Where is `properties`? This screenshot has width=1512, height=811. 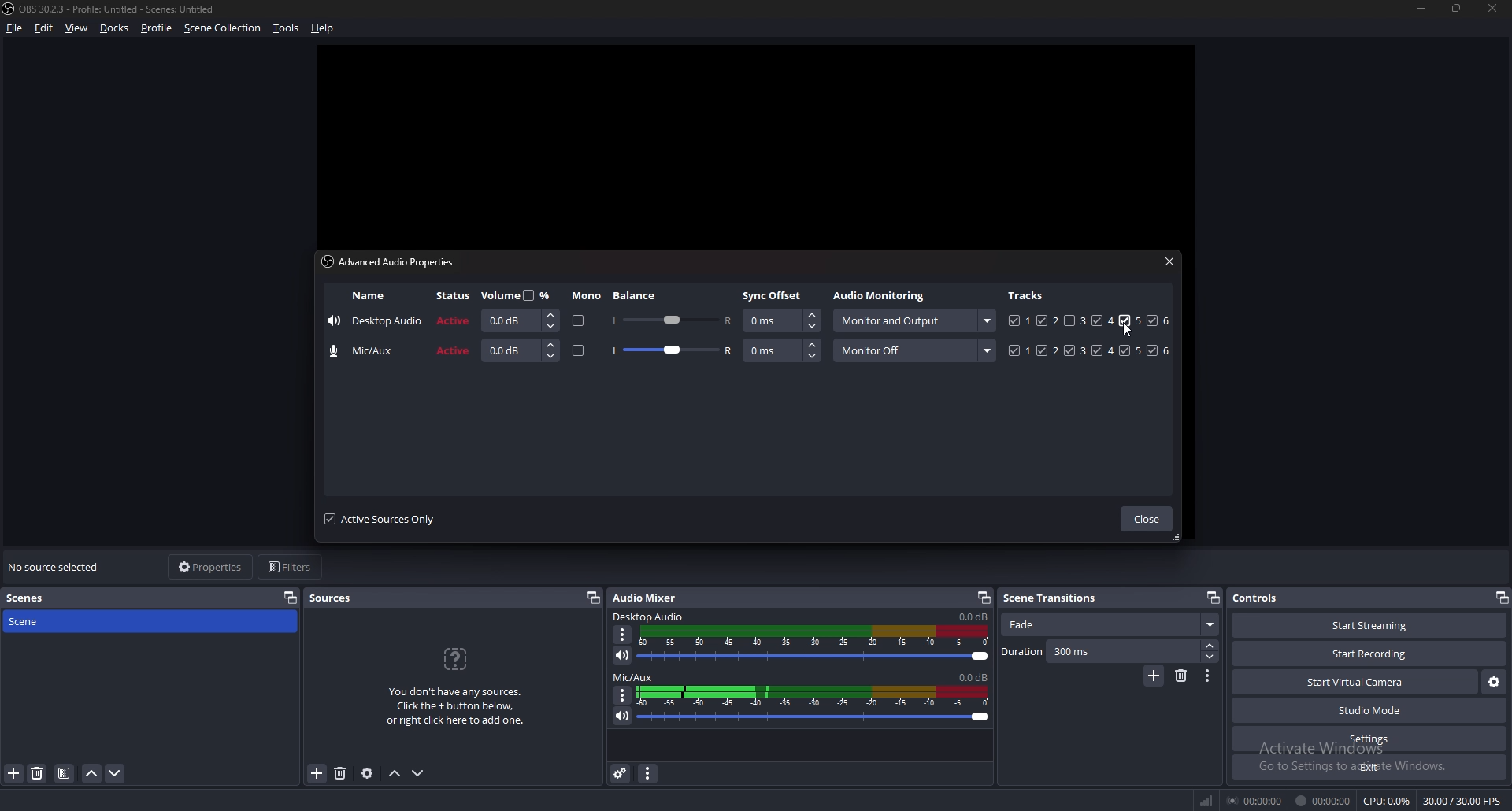 properties is located at coordinates (209, 567).